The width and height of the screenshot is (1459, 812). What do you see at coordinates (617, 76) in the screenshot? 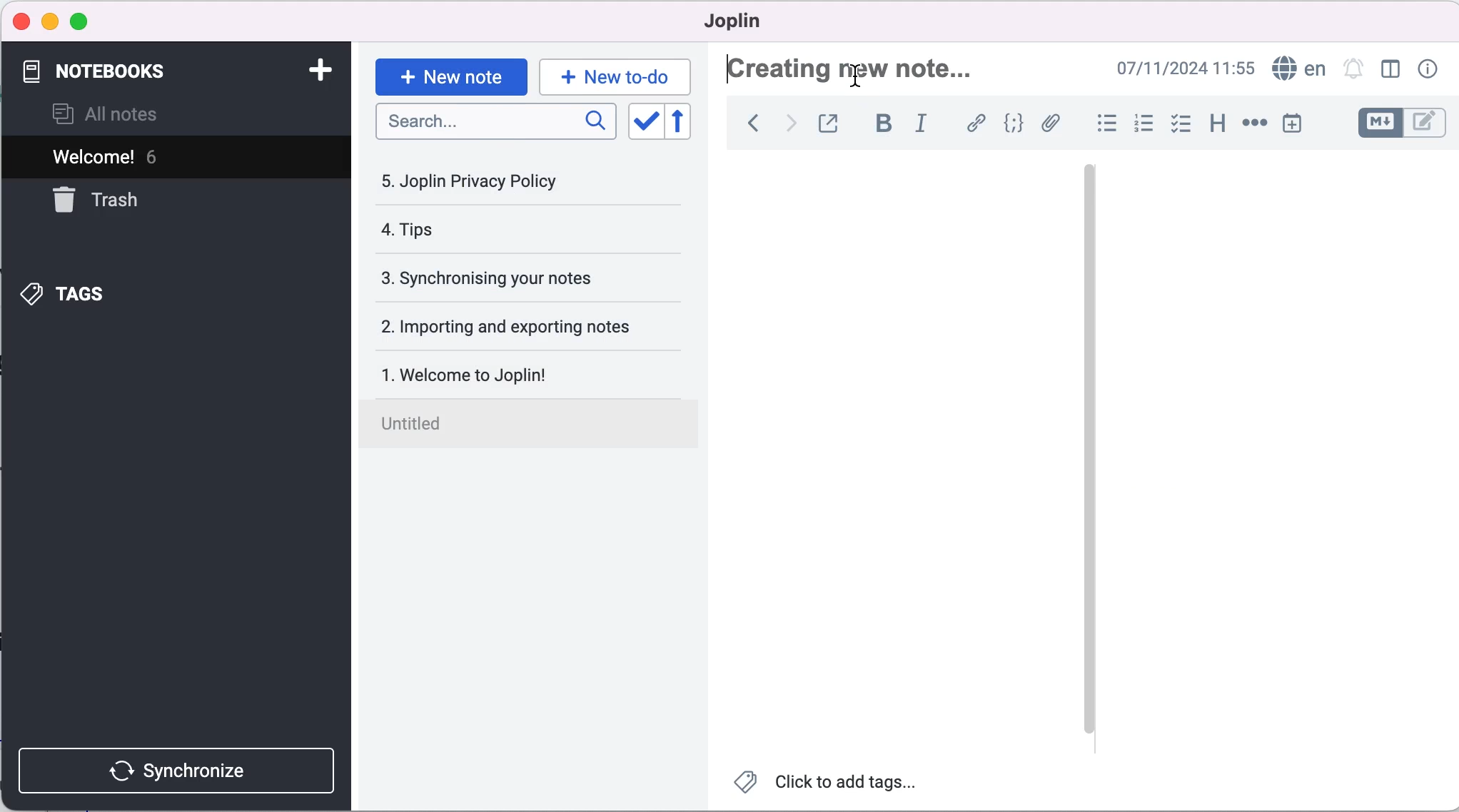
I see `new to-do` at bounding box center [617, 76].